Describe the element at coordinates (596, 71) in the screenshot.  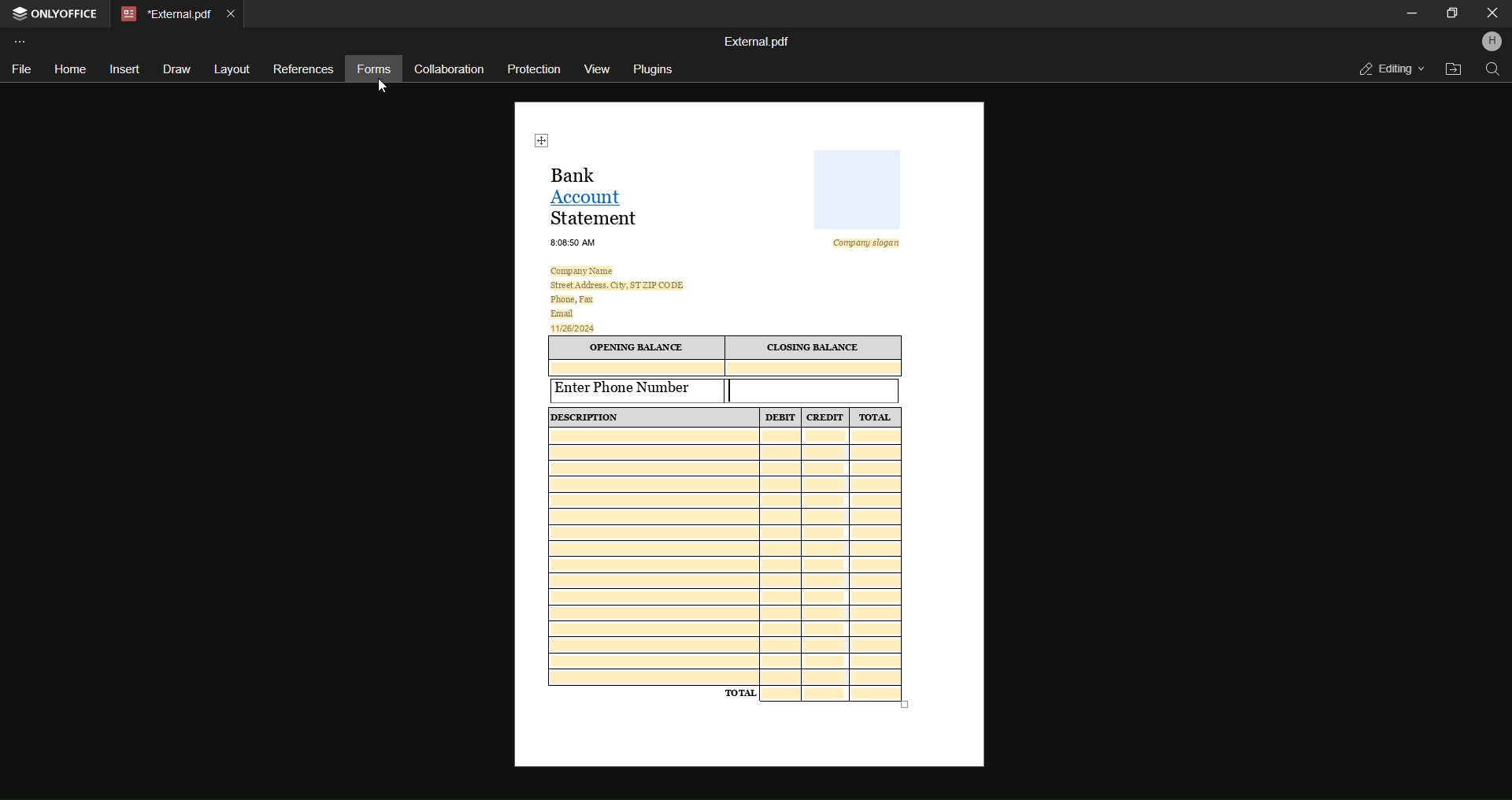
I see `view` at that location.